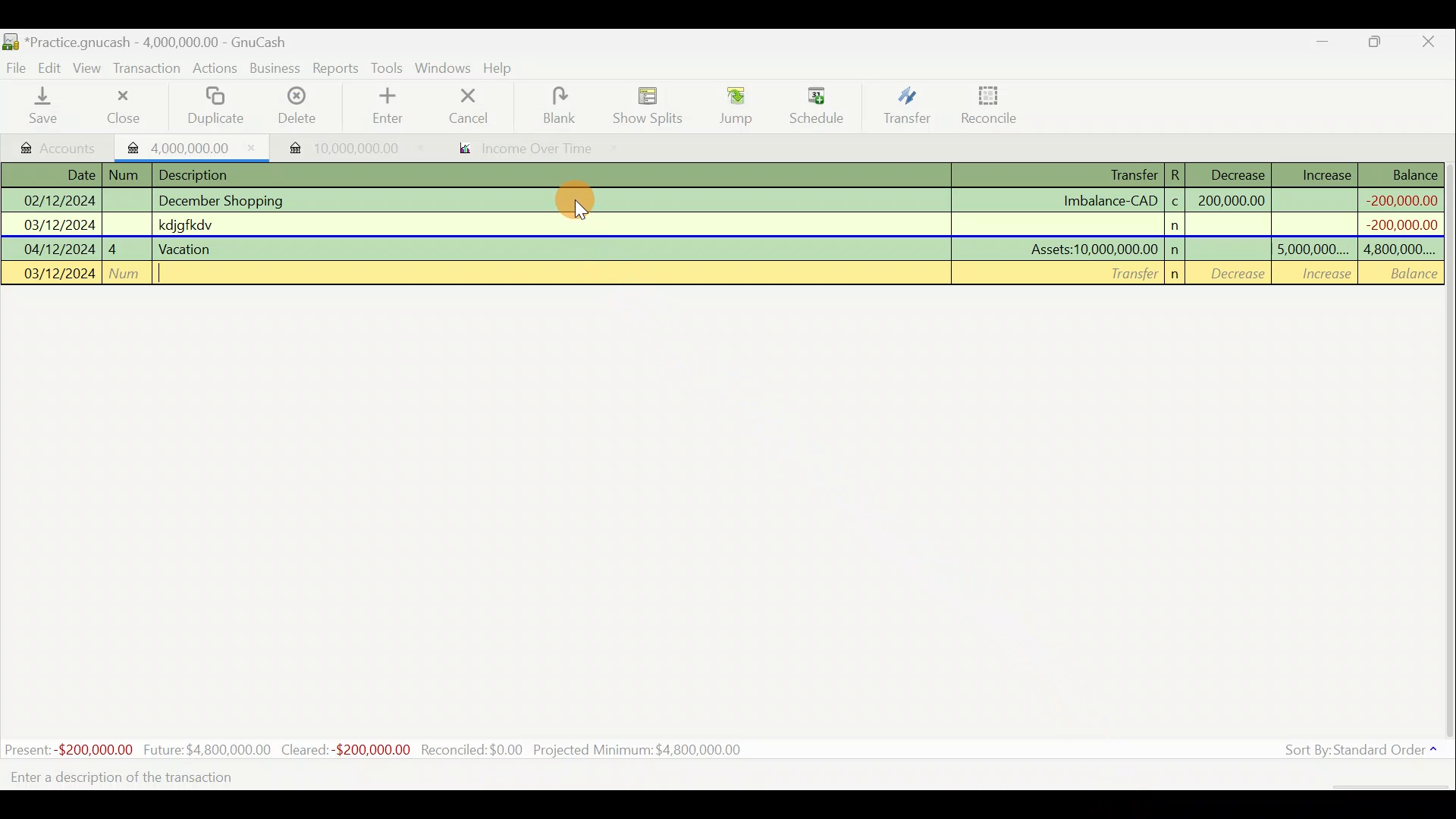 The height and width of the screenshot is (819, 1456). What do you see at coordinates (276, 69) in the screenshot?
I see `Business` at bounding box center [276, 69].